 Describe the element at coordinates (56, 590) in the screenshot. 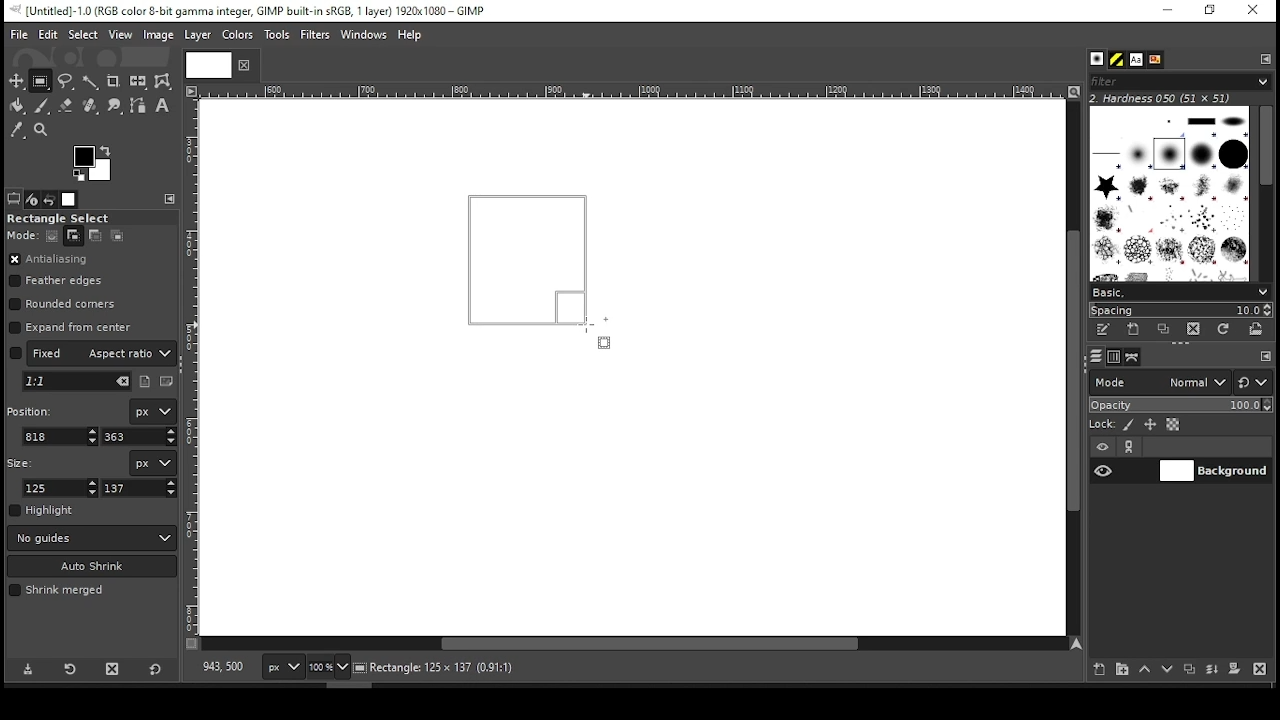

I see `shrink merged` at that location.